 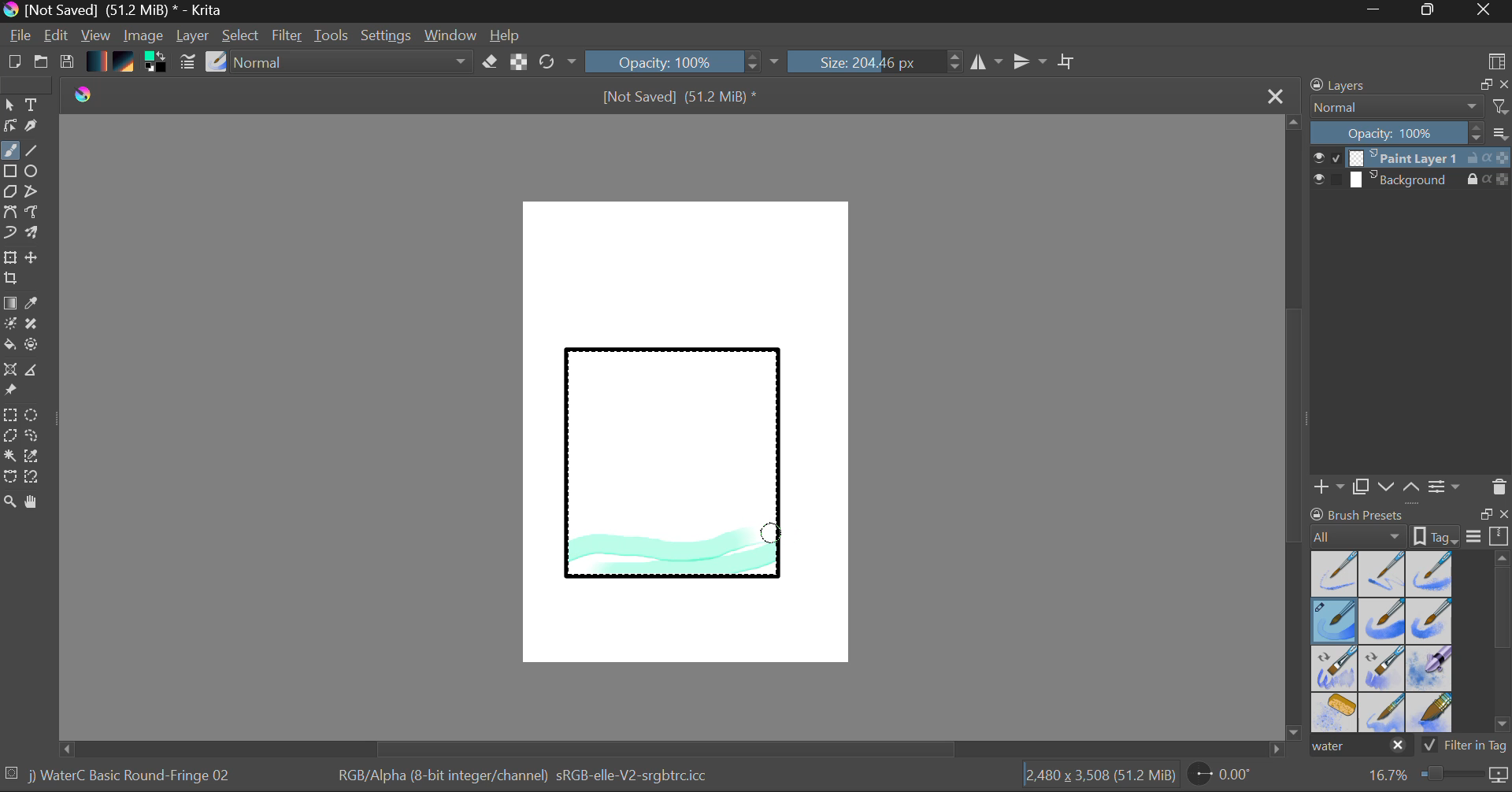 I want to click on Layer, so click(x=195, y=35).